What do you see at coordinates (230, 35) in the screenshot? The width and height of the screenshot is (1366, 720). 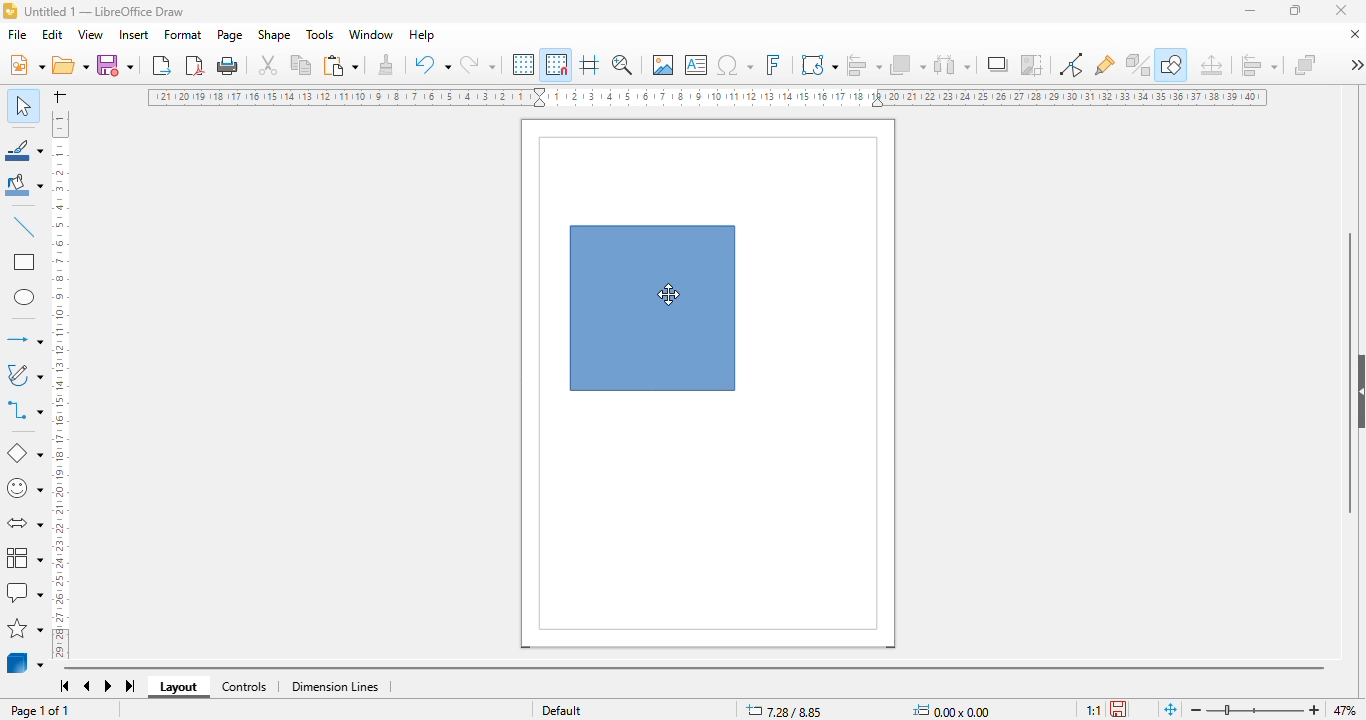 I see `page` at bounding box center [230, 35].